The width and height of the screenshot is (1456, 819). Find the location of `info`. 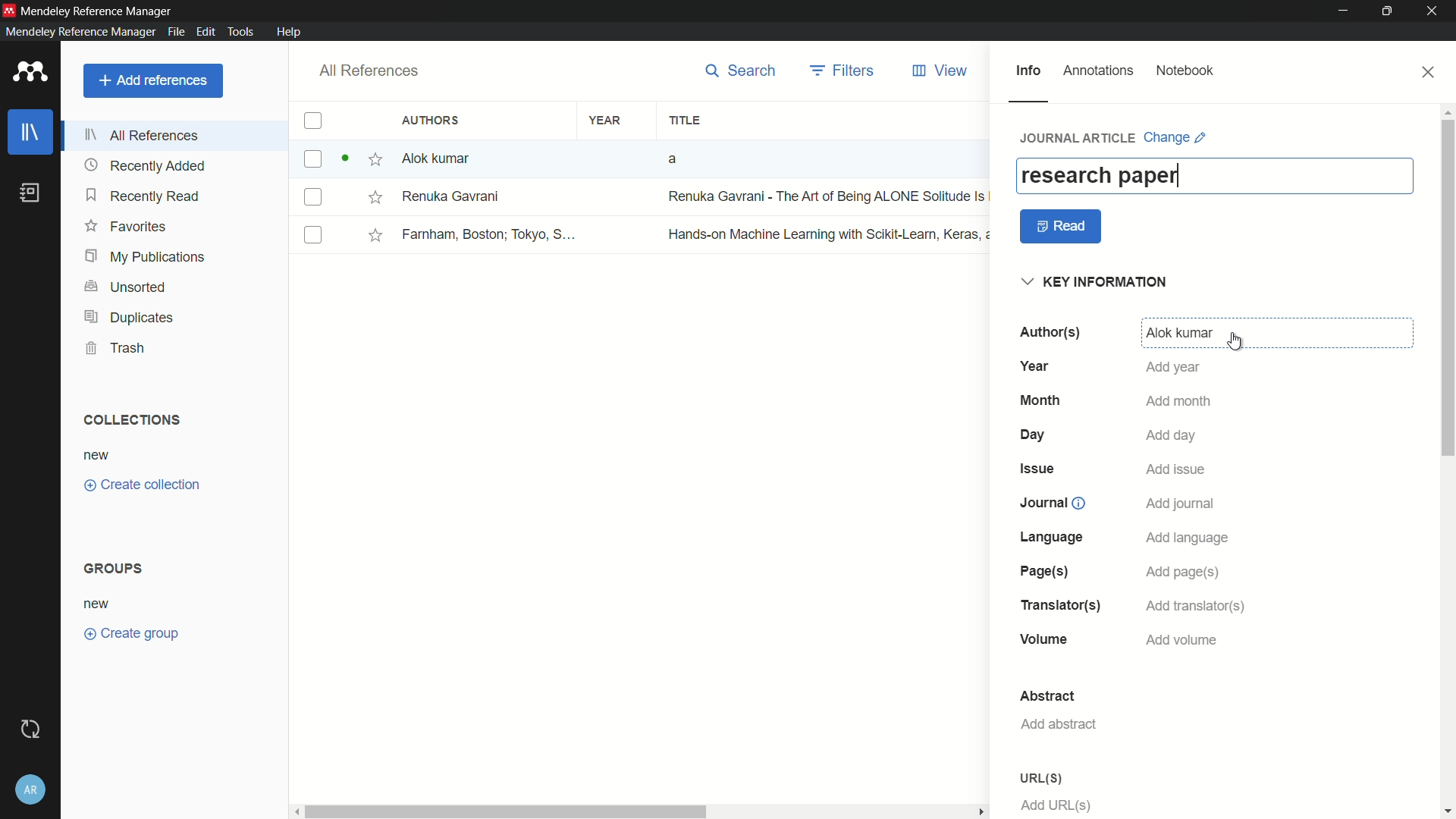

info is located at coordinates (1028, 71).